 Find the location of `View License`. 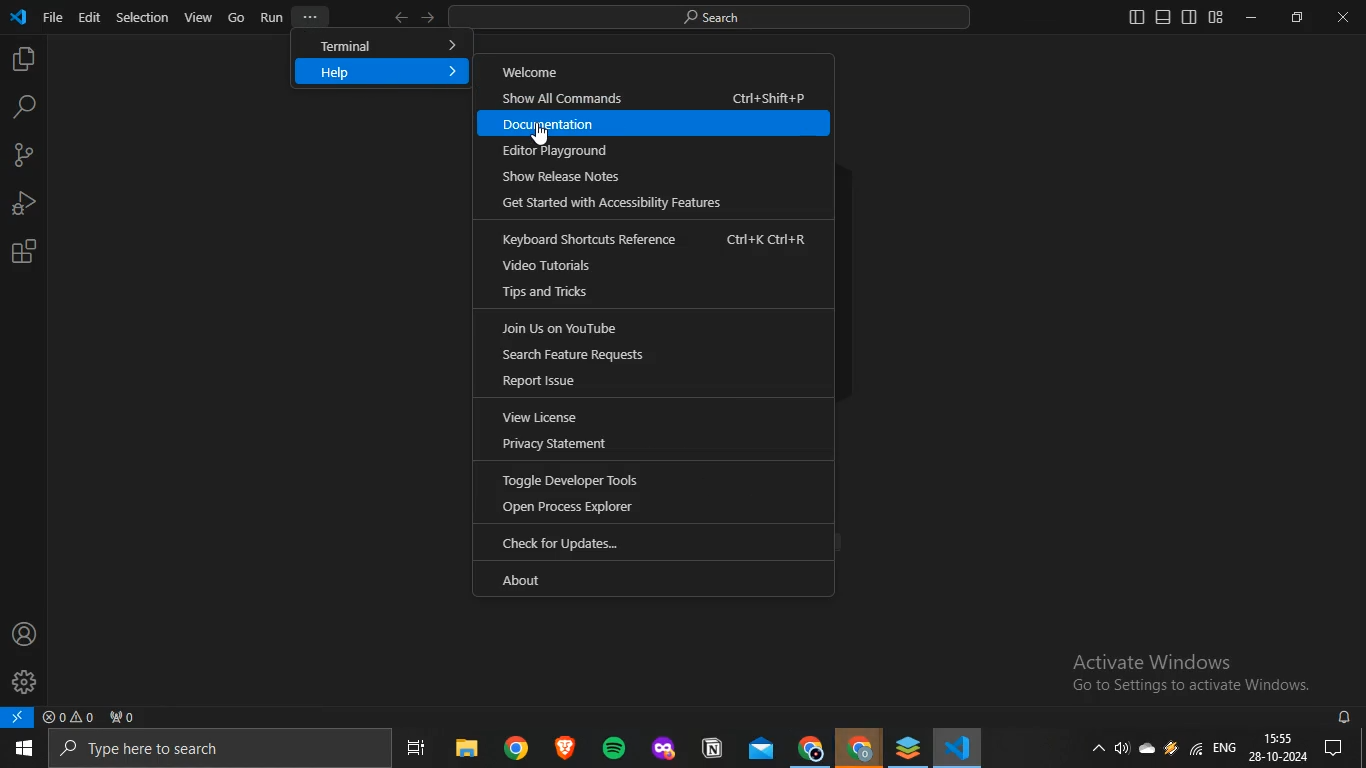

View License is located at coordinates (657, 416).